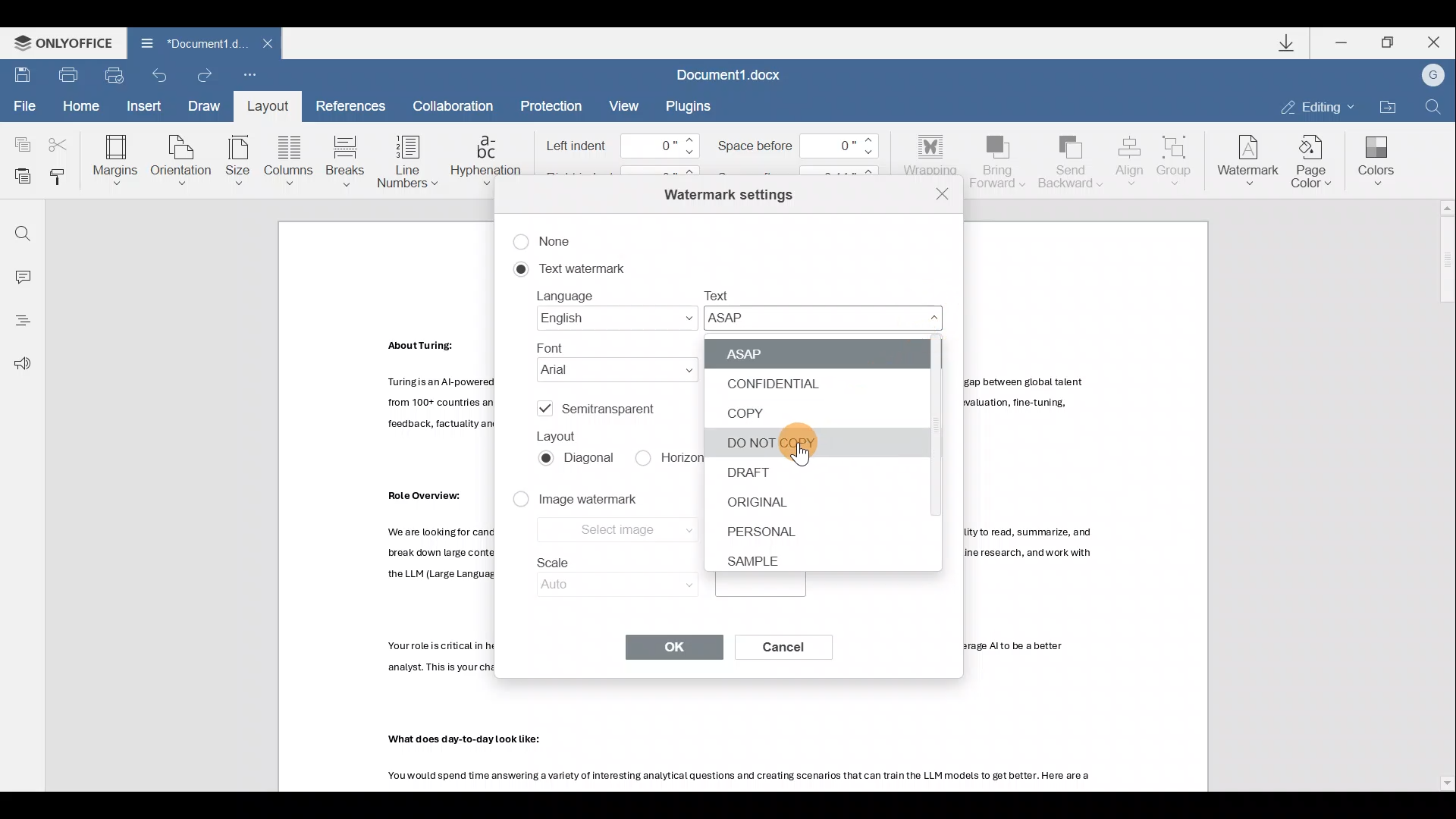 The width and height of the screenshot is (1456, 819). What do you see at coordinates (422, 344) in the screenshot?
I see `` at bounding box center [422, 344].